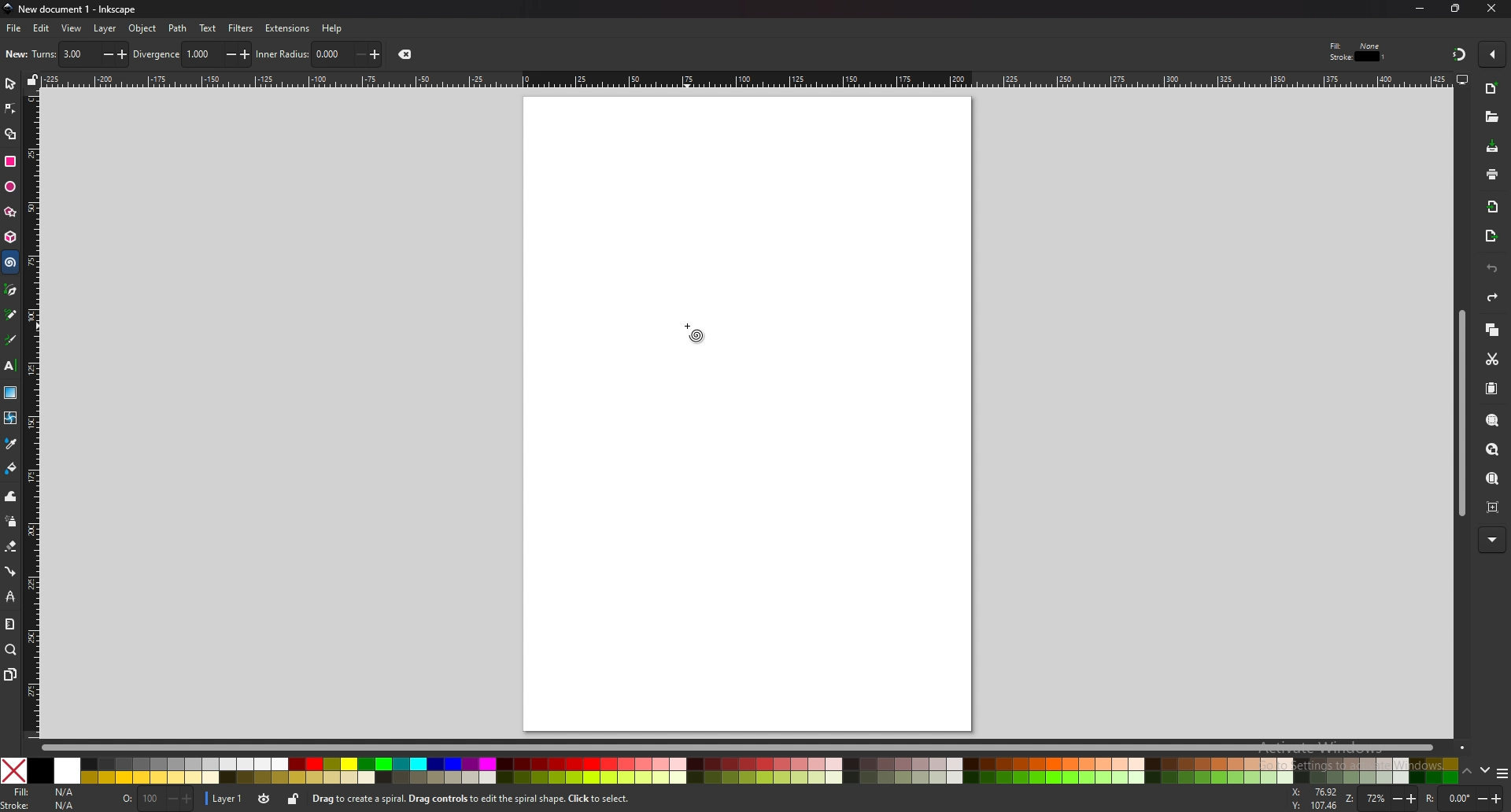 Image resolution: width=1511 pixels, height=812 pixels. Describe the element at coordinates (1492, 268) in the screenshot. I see `undo` at that location.